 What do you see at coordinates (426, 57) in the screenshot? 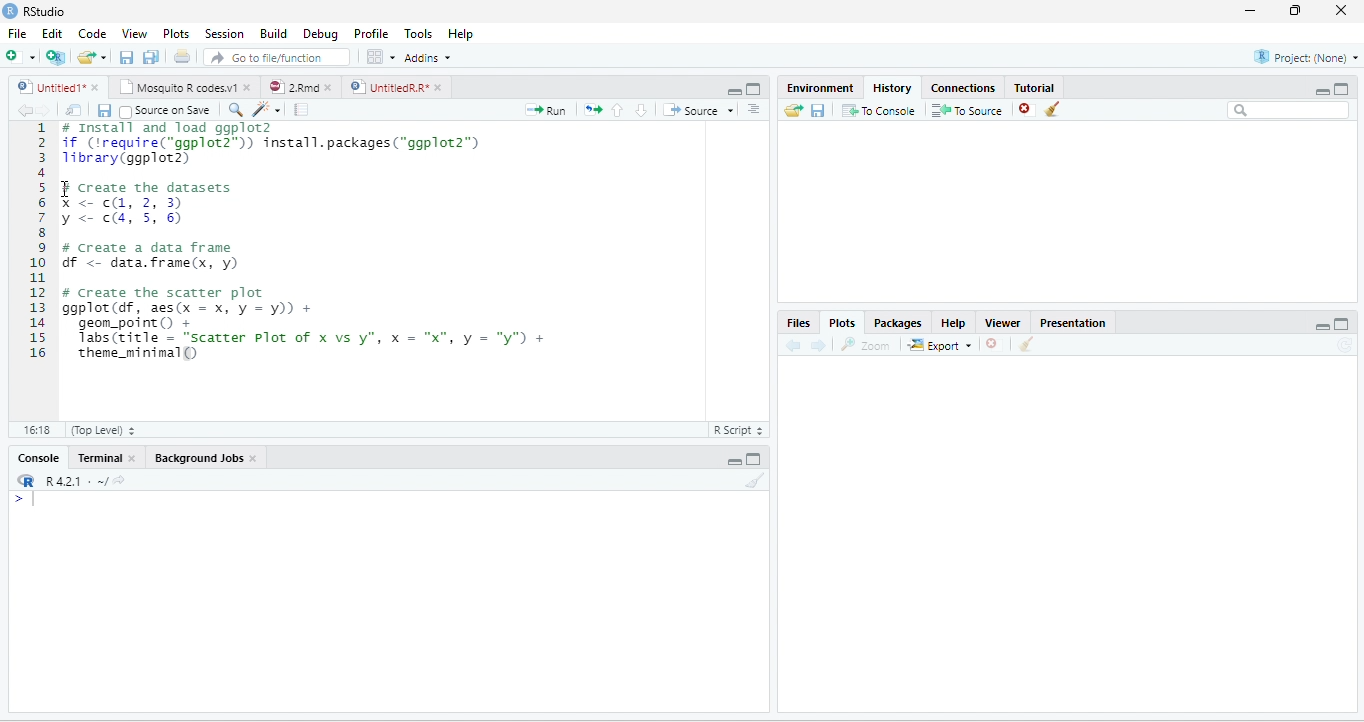
I see `Addins` at bounding box center [426, 57].